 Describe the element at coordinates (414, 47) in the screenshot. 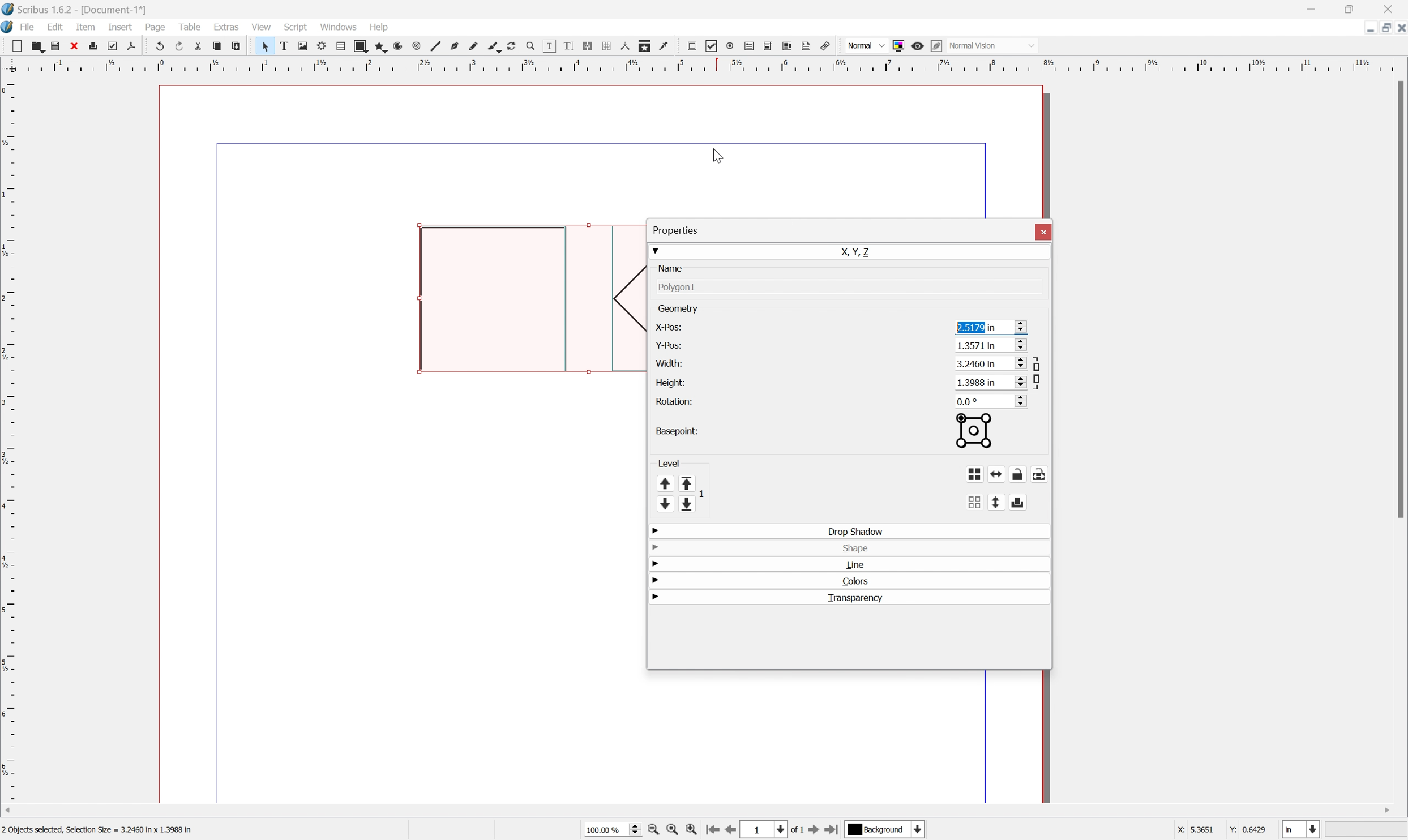

I see `spiral` at that location.